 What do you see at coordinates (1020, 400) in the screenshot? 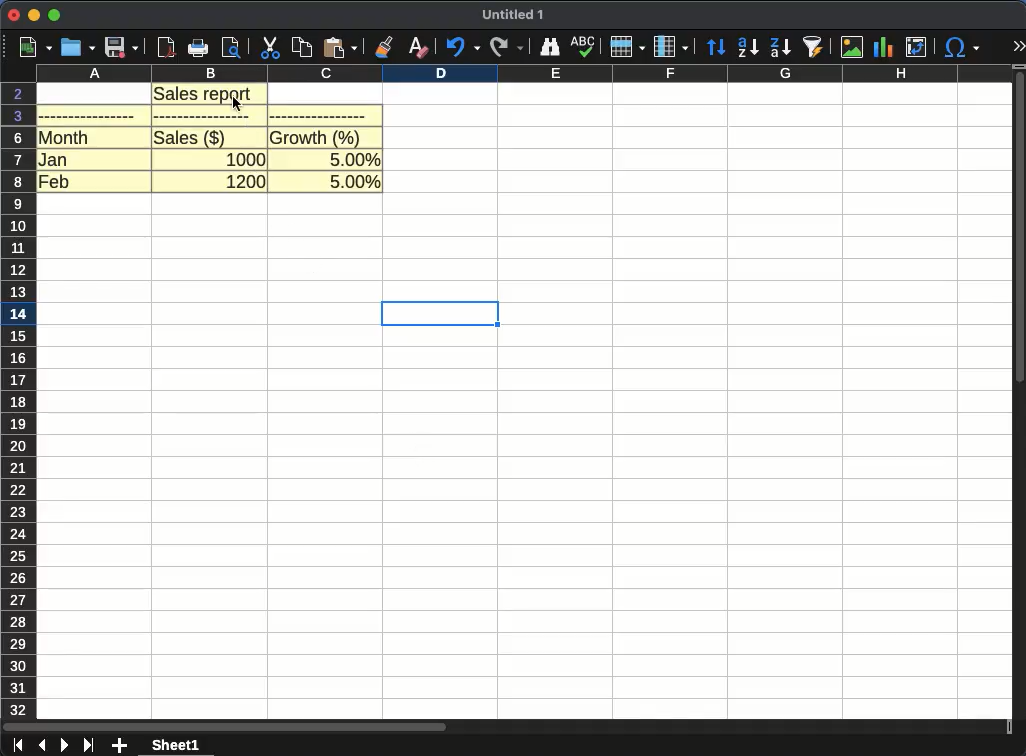
I see `scroll` at bounding box center [1020, 400].